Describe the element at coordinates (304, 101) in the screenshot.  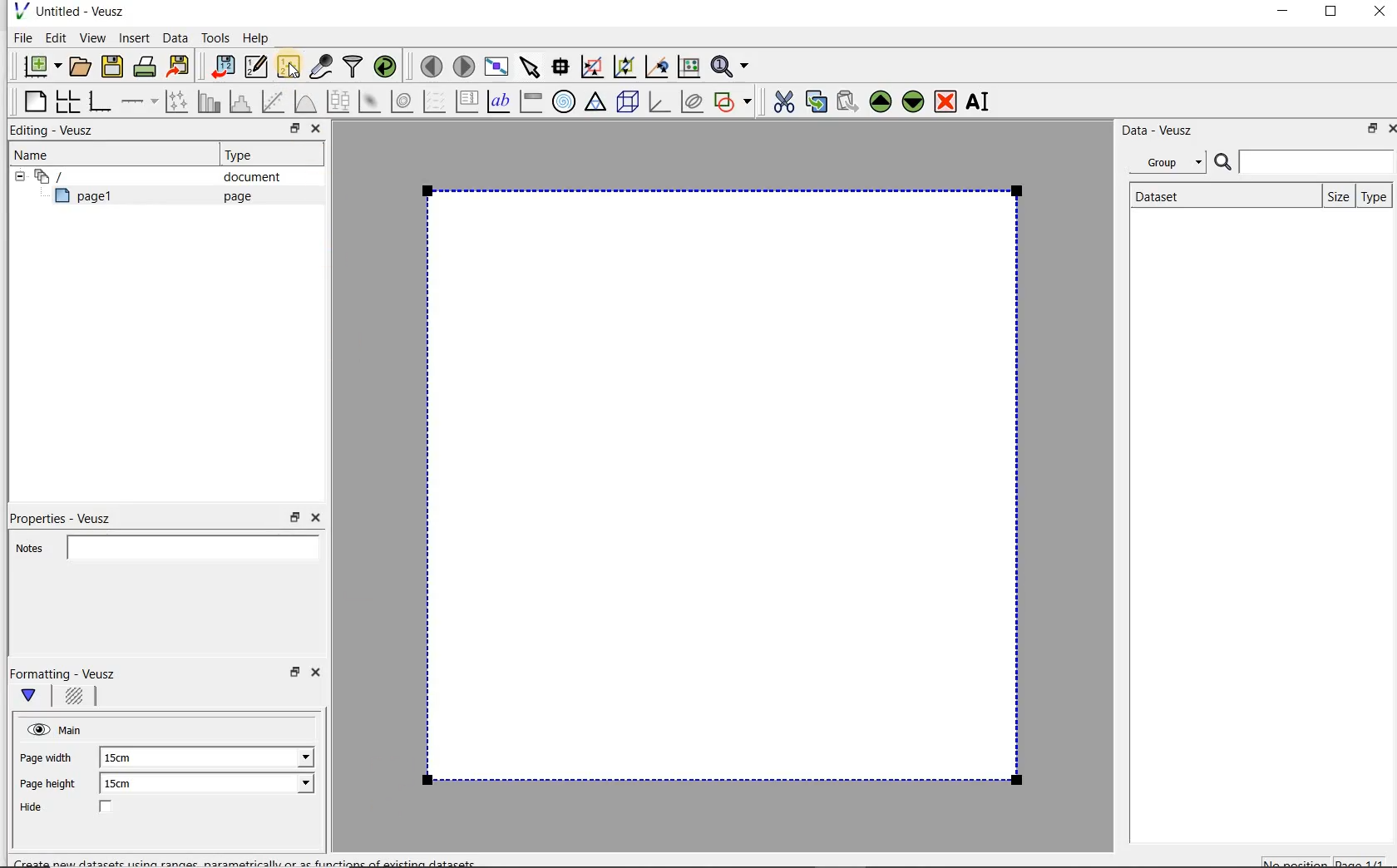
I see `plot a function` at that location.